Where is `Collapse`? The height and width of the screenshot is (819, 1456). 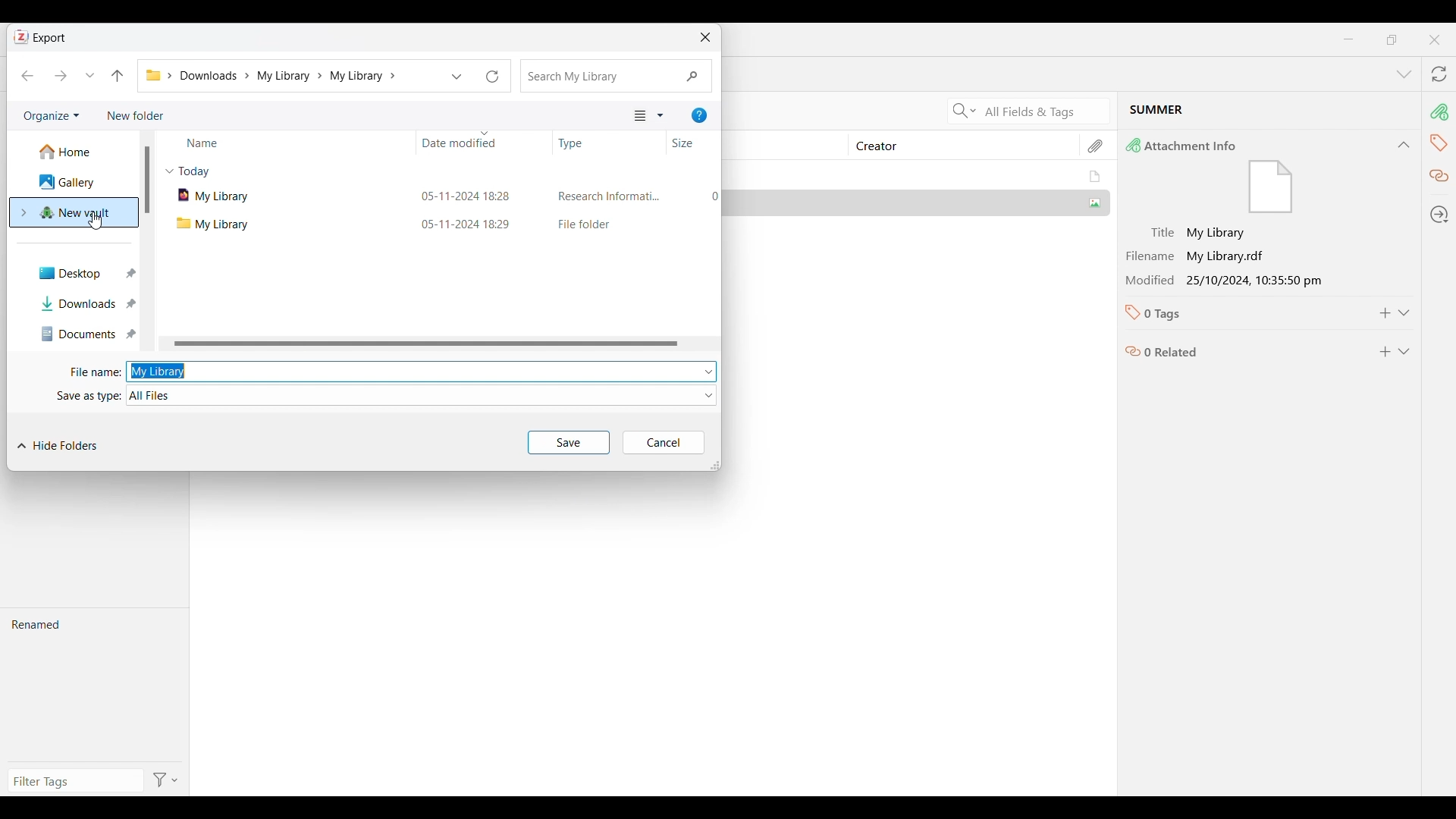 Collapse is located at coordinates (1404, 145).